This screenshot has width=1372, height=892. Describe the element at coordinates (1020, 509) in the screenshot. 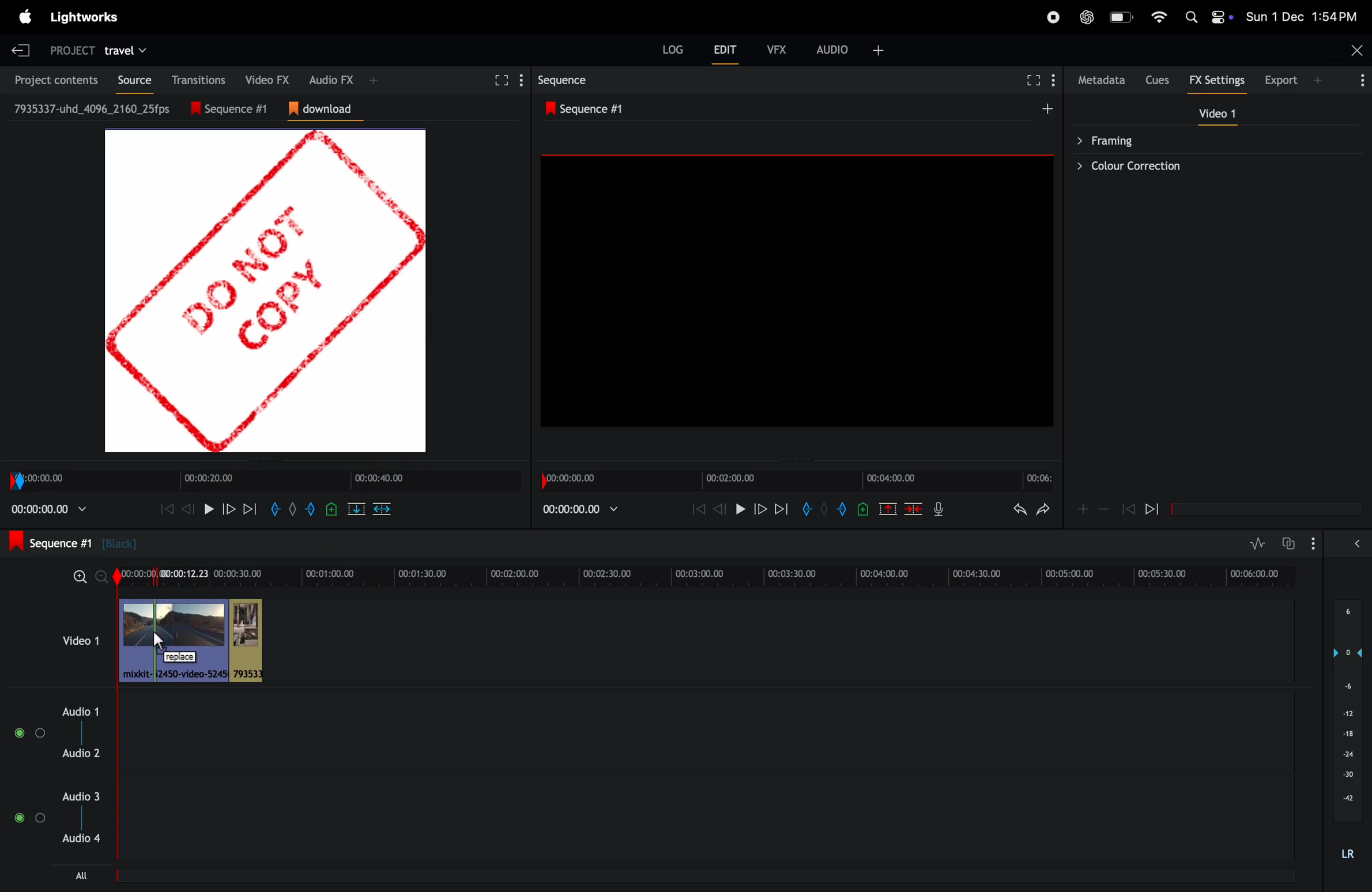

I see `undo` at that location.